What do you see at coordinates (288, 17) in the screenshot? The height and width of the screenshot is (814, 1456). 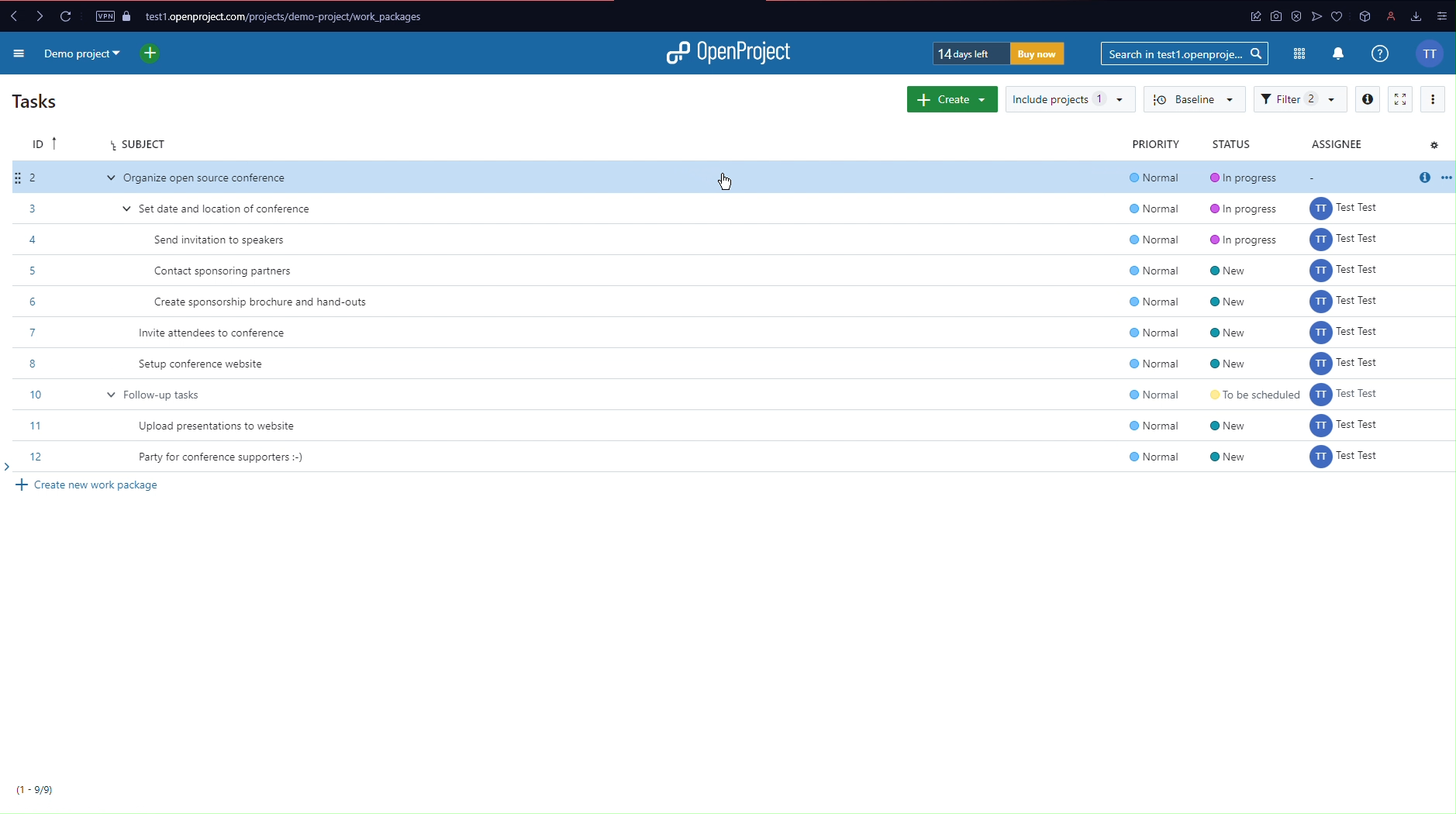 I see `Website URL` at bounding box center [288, 17].